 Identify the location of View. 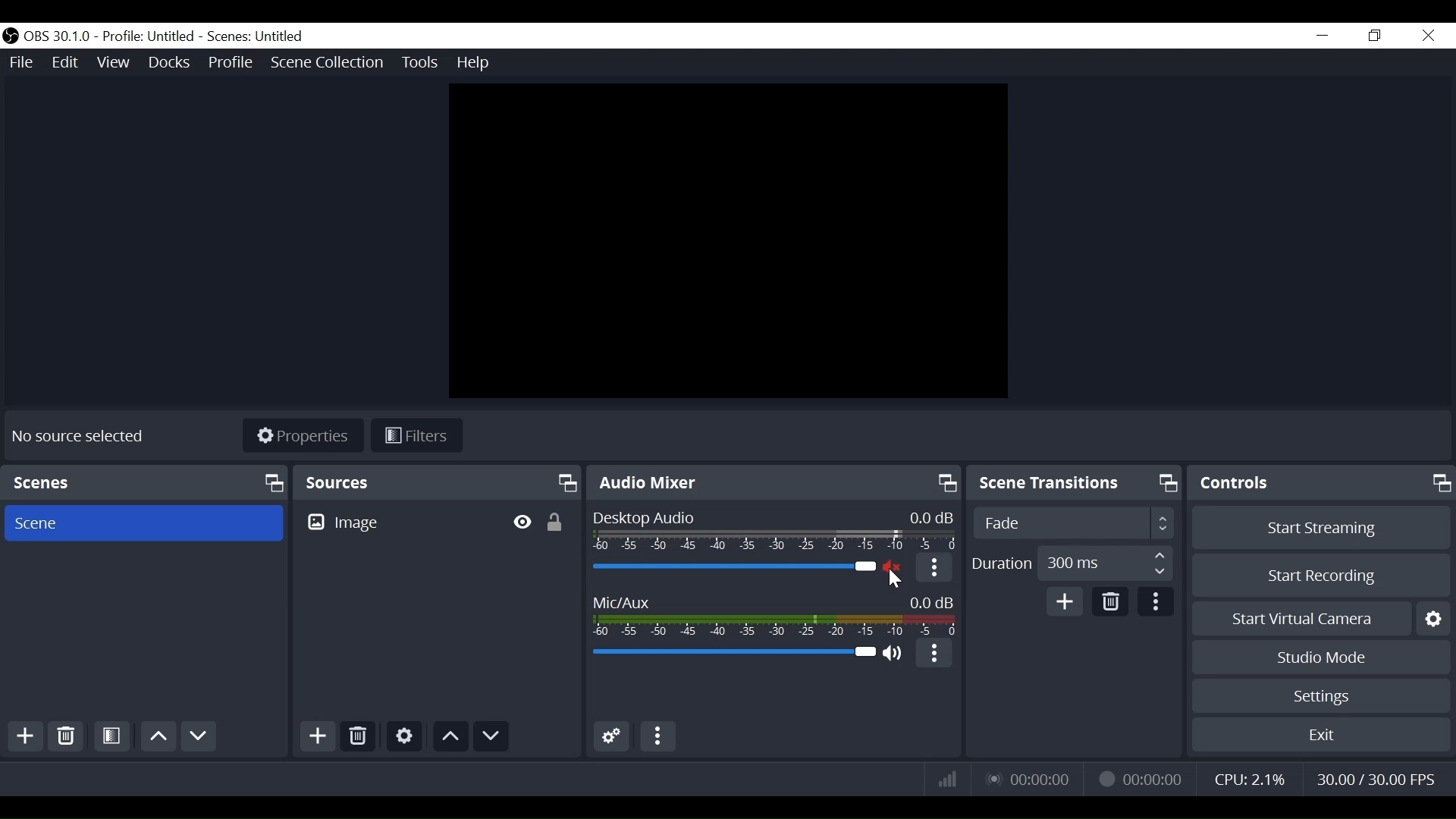
(116, 63).